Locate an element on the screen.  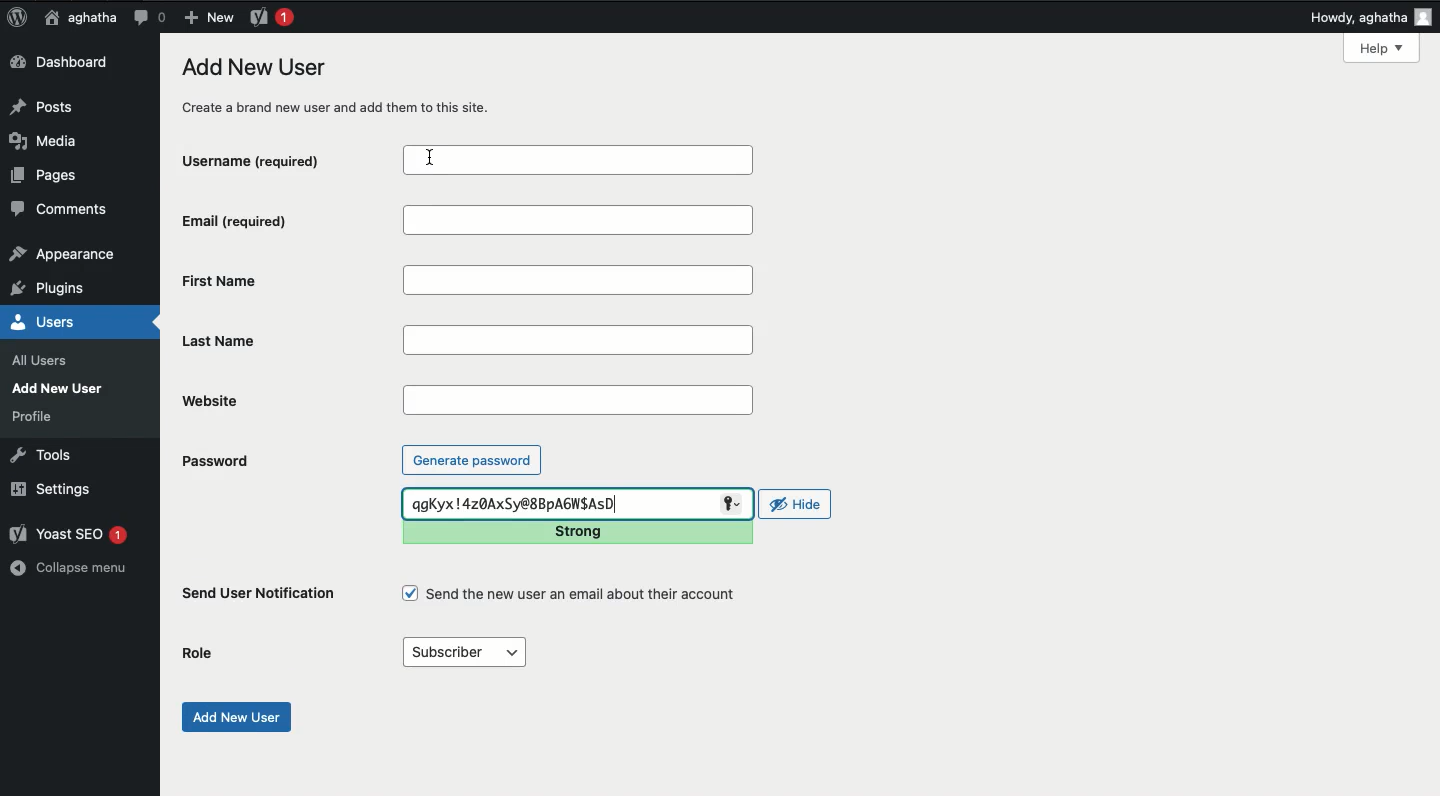
Email (required) is located at coordinates (287, 222).